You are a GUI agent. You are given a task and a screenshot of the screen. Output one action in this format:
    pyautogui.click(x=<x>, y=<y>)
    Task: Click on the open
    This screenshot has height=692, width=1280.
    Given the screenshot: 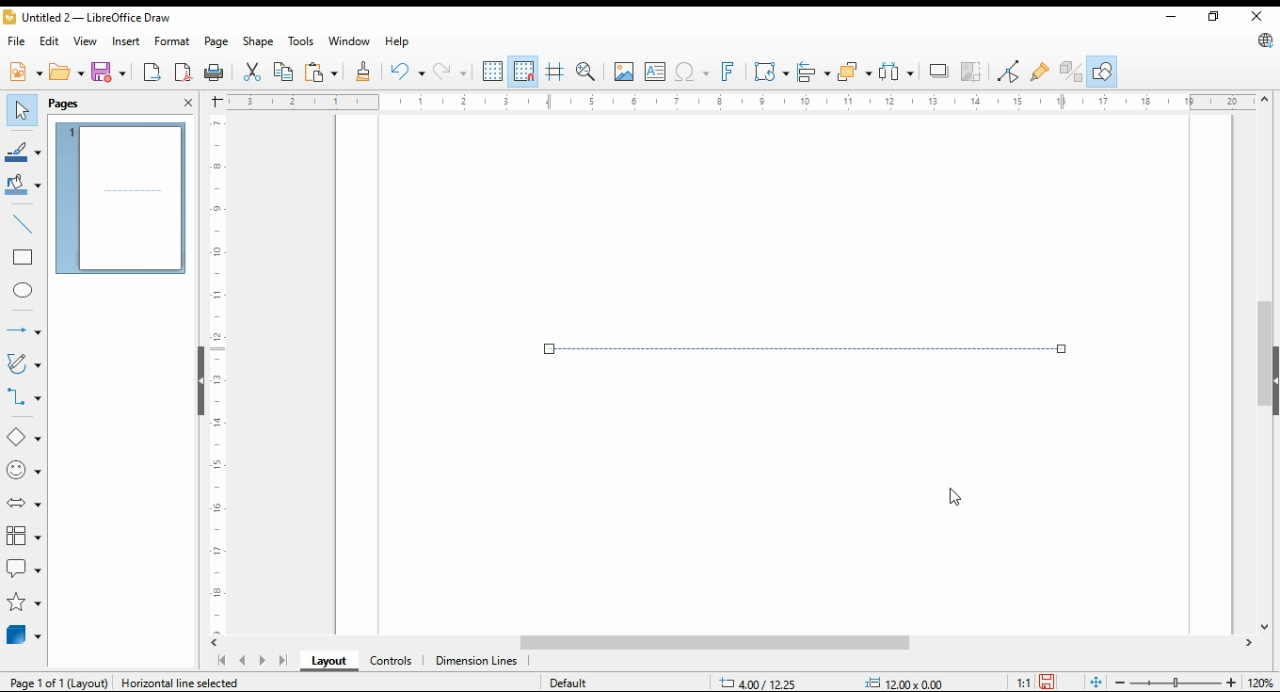 What is the action you would take?
    pyautogui.click(x=67, y=70)
    